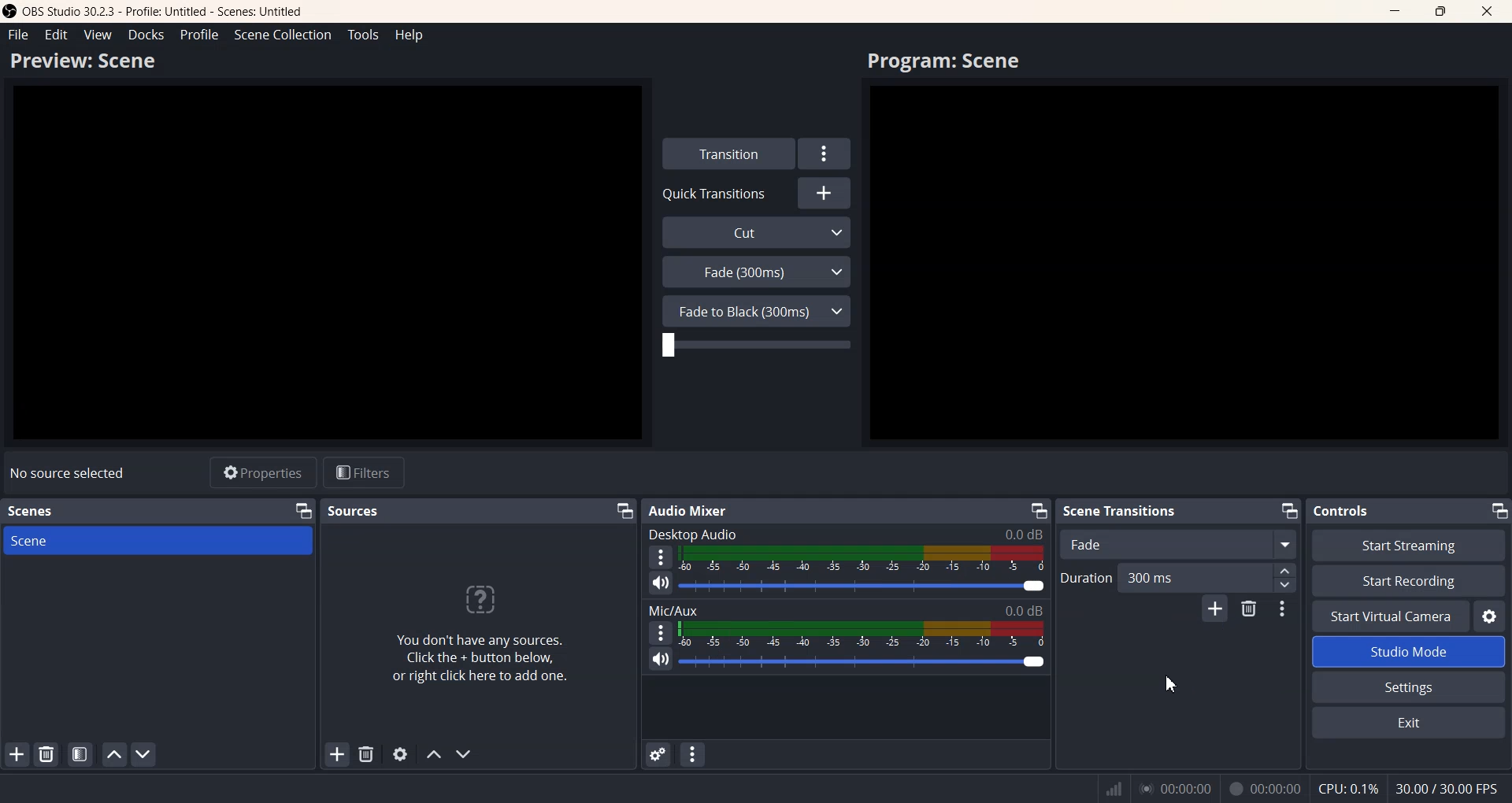  What do you see at coordinates (88, 60) in the screenshot?
I see `Preview Scene` at bounding box center [88, 60].